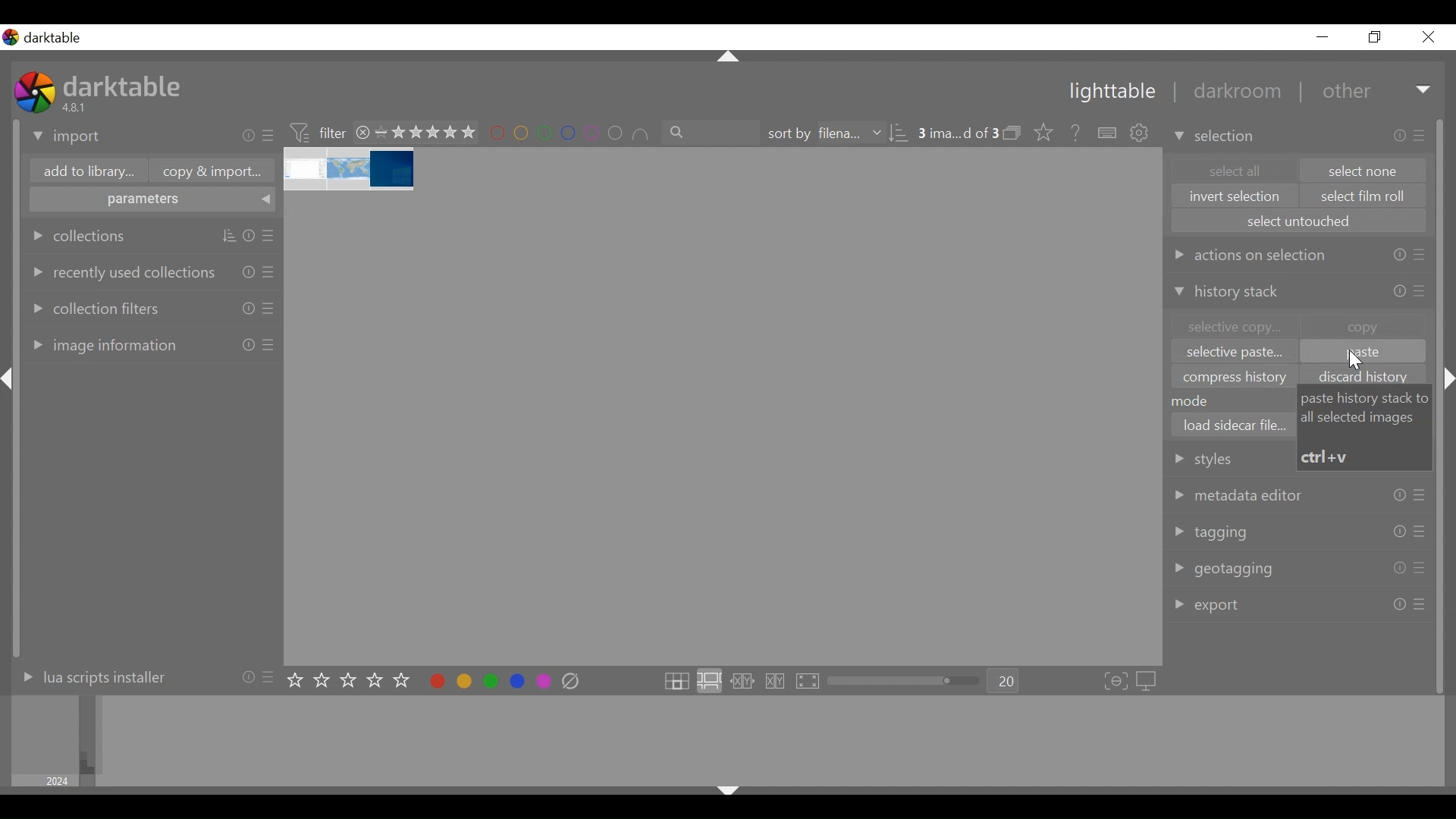 Image resolution: width=1456 pixels, height=819 pixels. I want to click on set display profile, so click(1148, 681).